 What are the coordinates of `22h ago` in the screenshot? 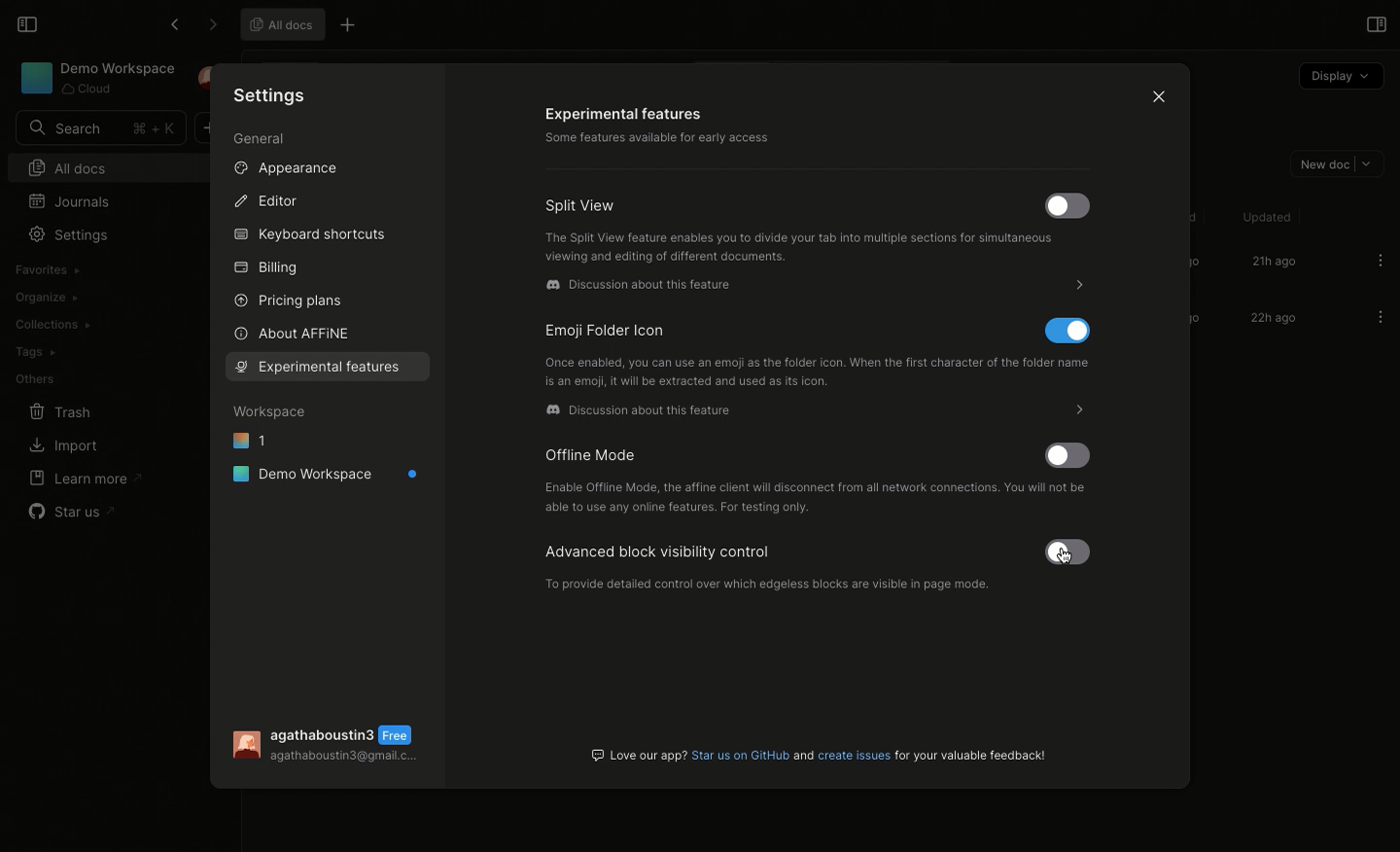 It's located at (1271, 320).